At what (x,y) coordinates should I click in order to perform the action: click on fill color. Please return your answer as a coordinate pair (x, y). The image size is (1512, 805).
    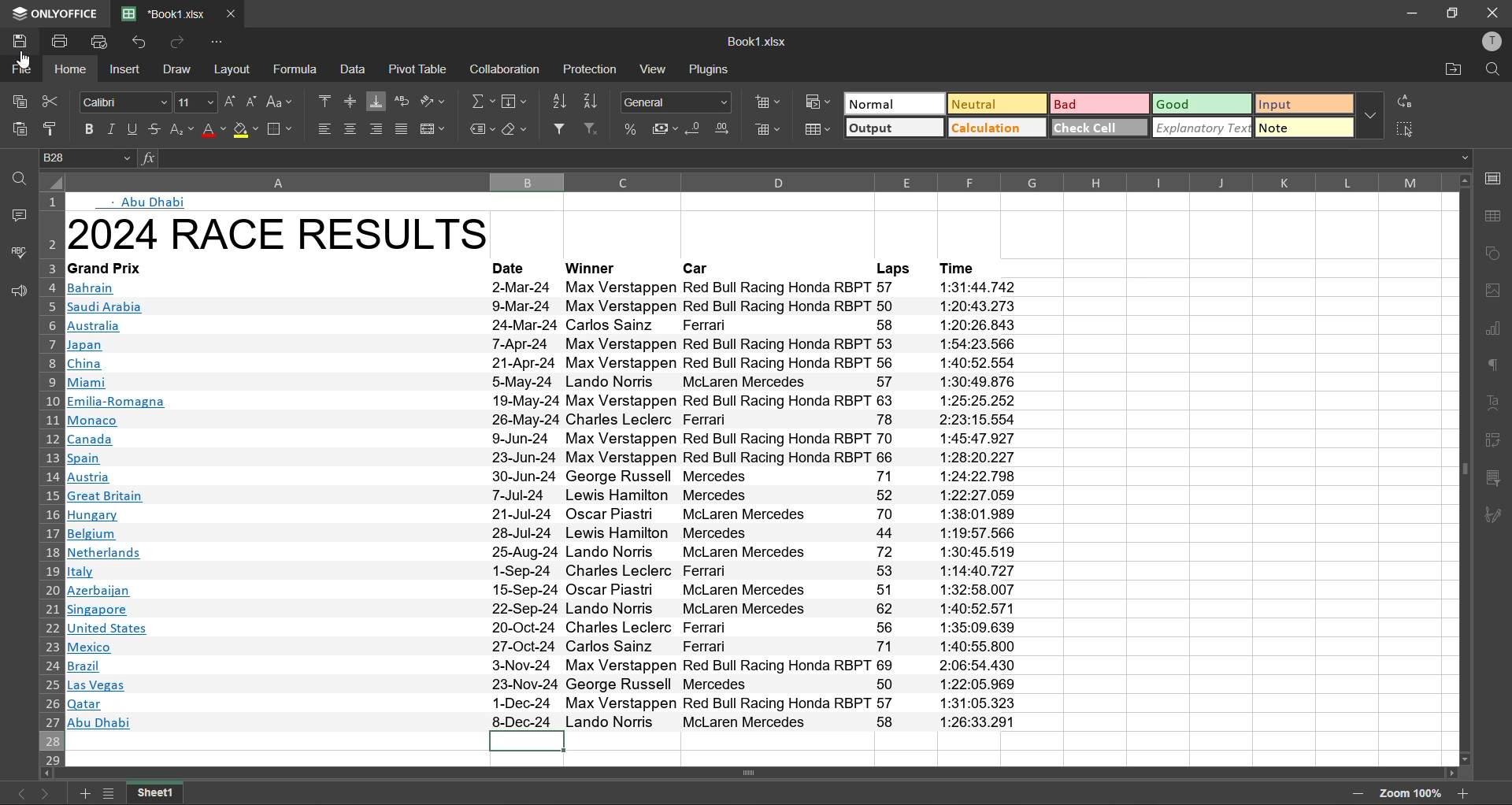
    Looking at the image, I should click on (246, 131).